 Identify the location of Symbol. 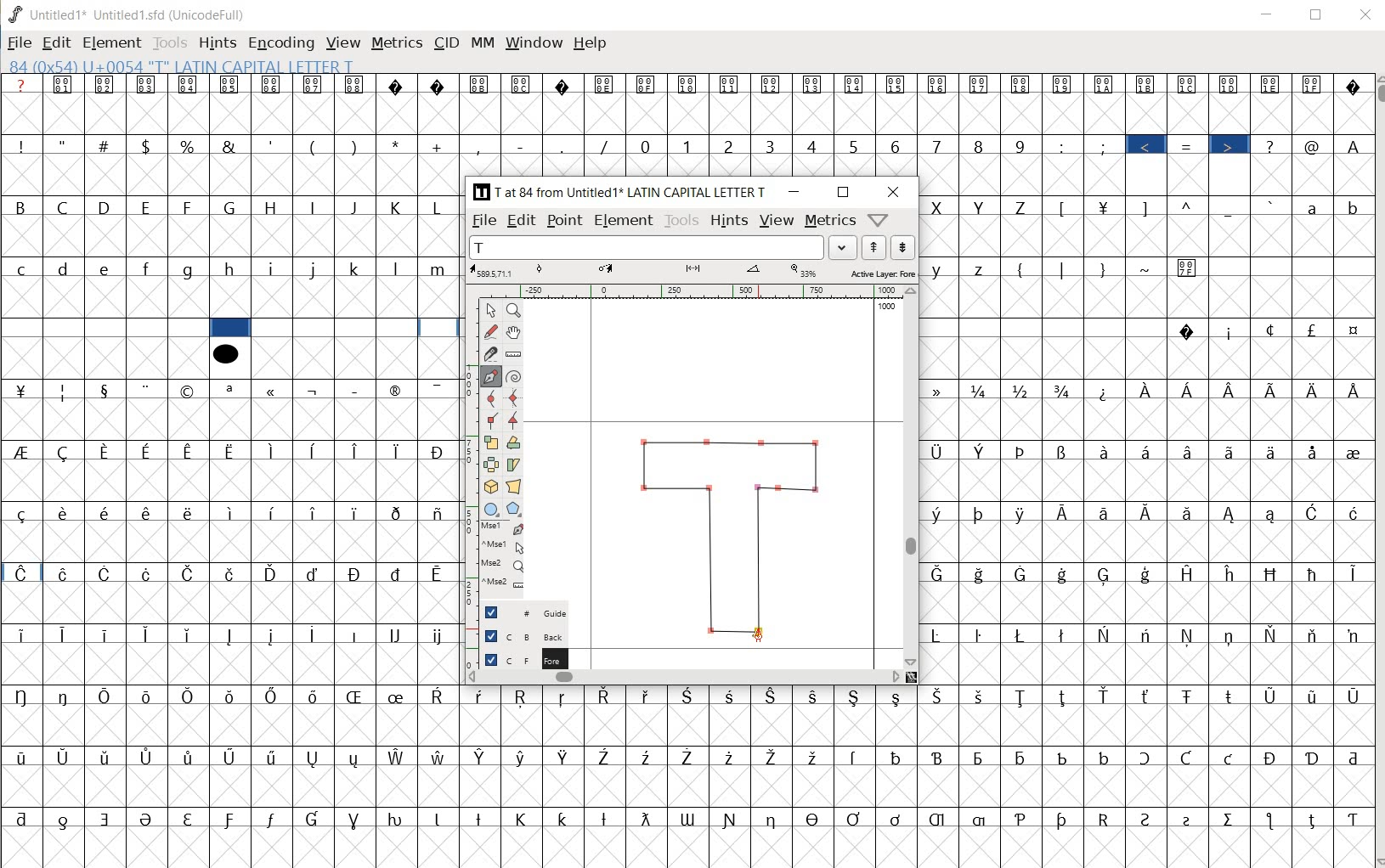
(941, 454).